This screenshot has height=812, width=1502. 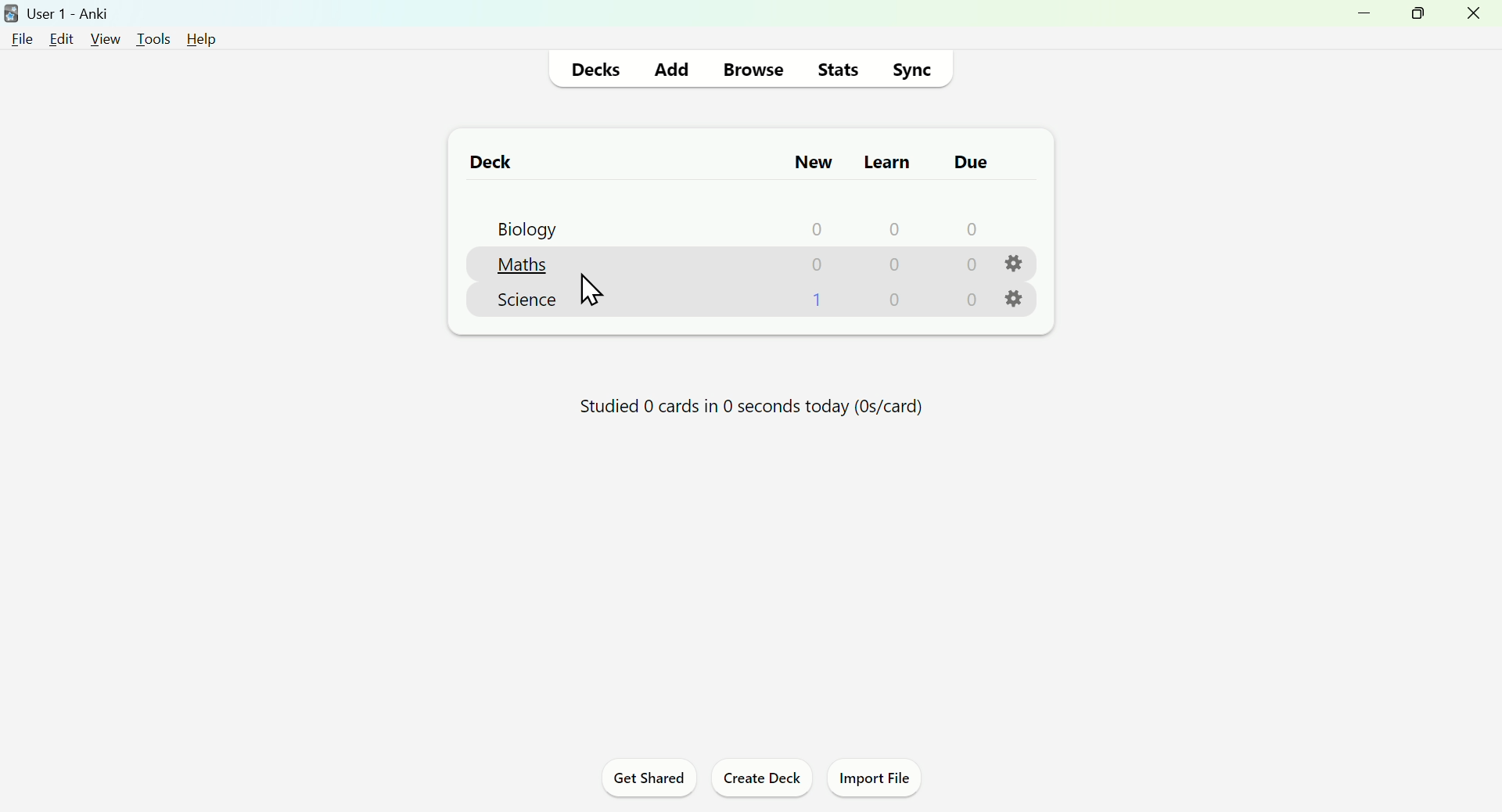 What do you see at coordinates (817, 264) in the screenshot?
I see `0` at bounding box center [817, 264].